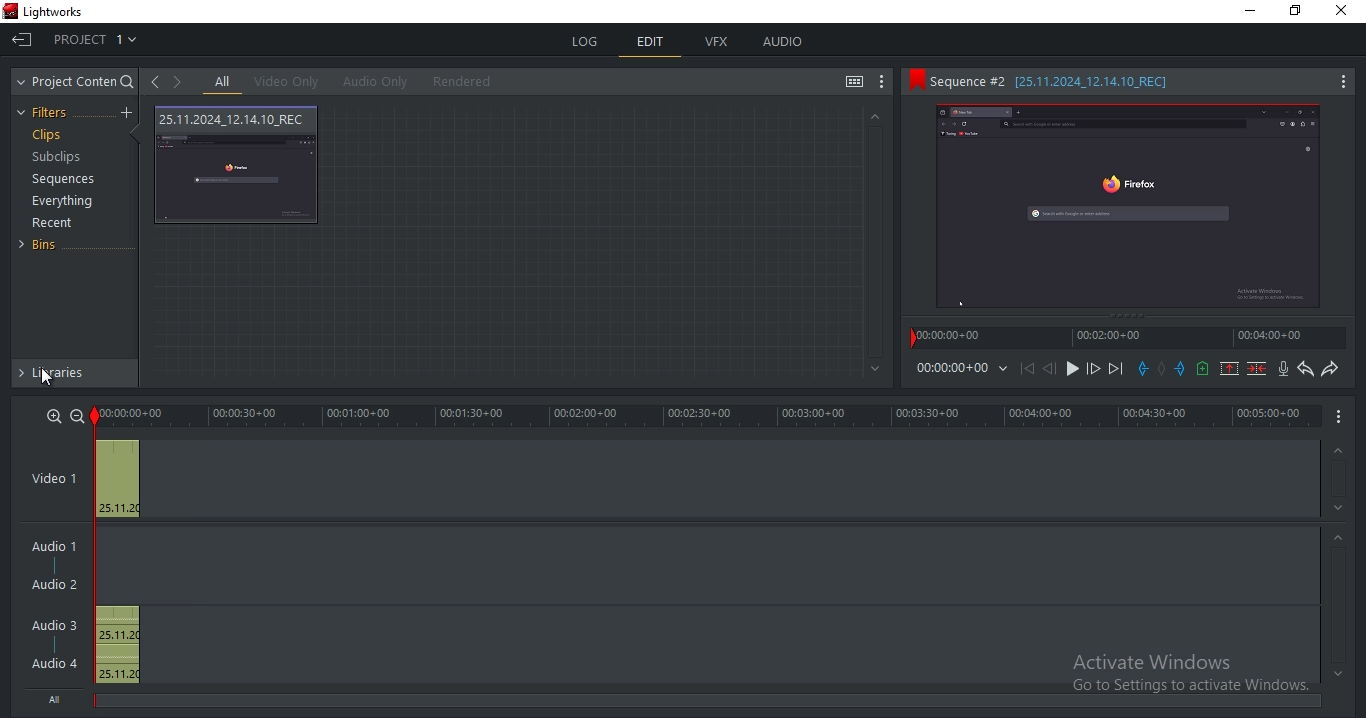  What do you see at coordinates (62, 480) in the screenshot?
I see `video` at bounding box center [62, 480].